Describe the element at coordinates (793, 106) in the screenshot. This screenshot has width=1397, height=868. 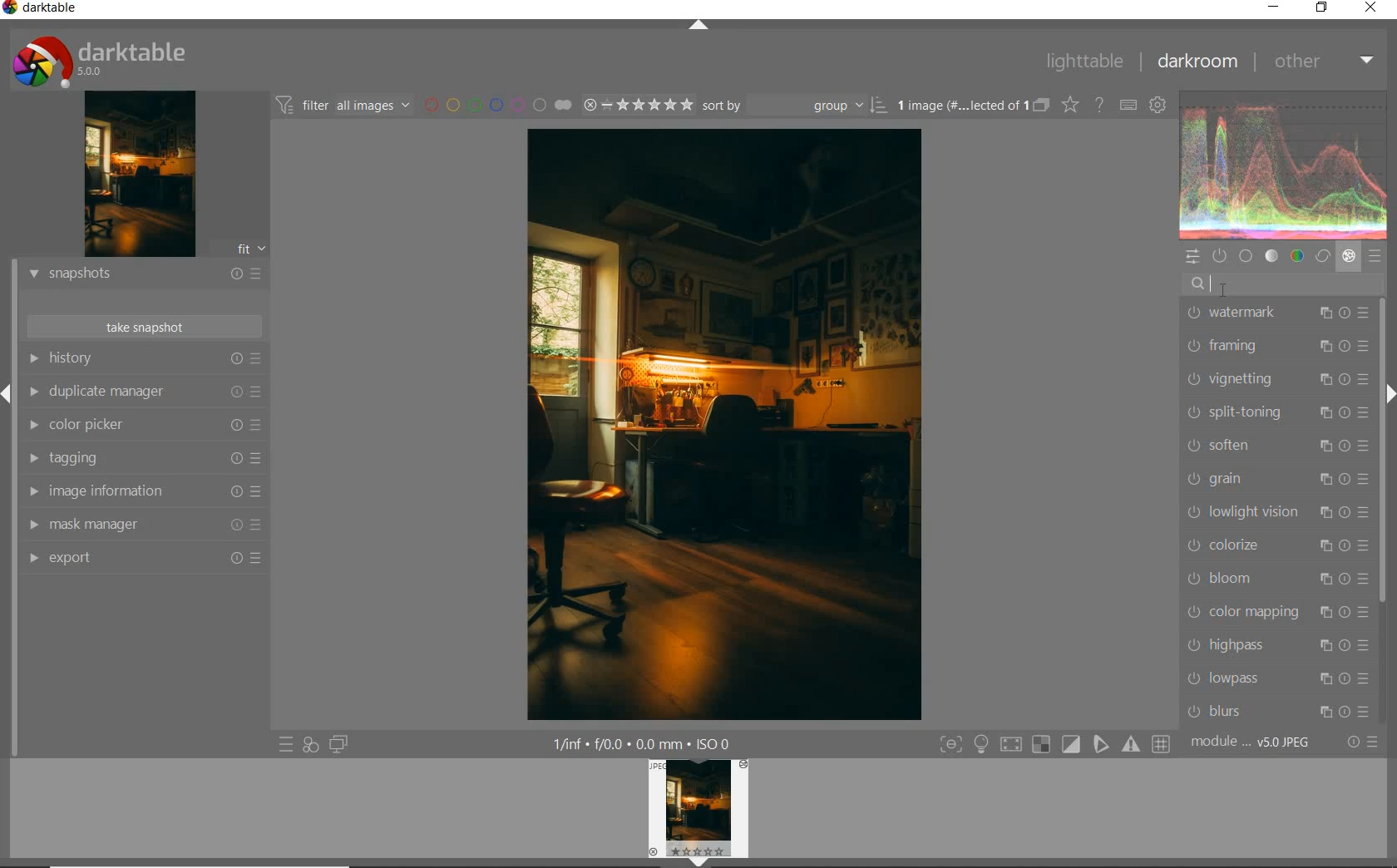
I see `sort` at that location.